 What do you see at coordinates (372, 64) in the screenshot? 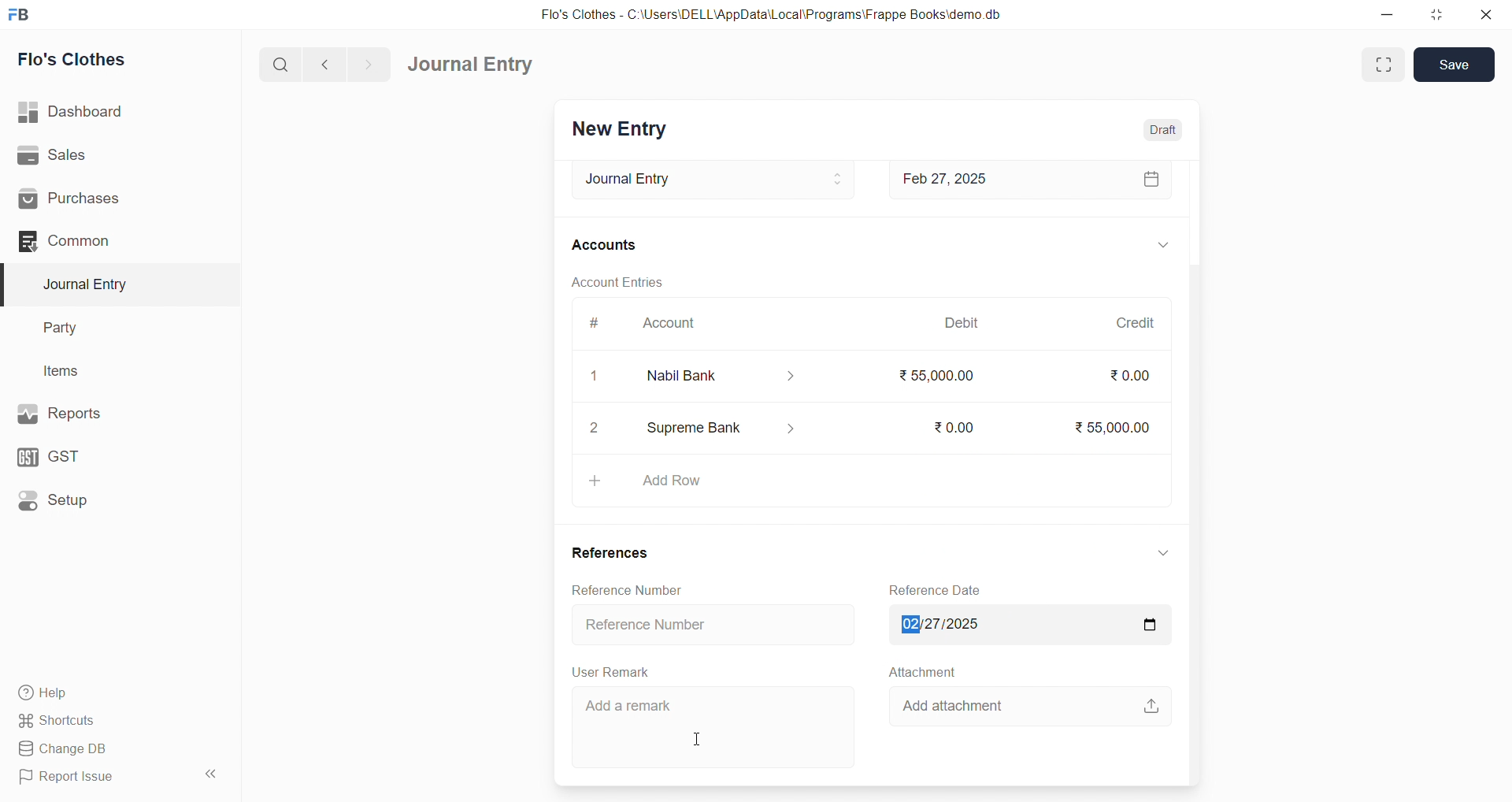
I see `navigate forward` at bounding box center [372, 64].